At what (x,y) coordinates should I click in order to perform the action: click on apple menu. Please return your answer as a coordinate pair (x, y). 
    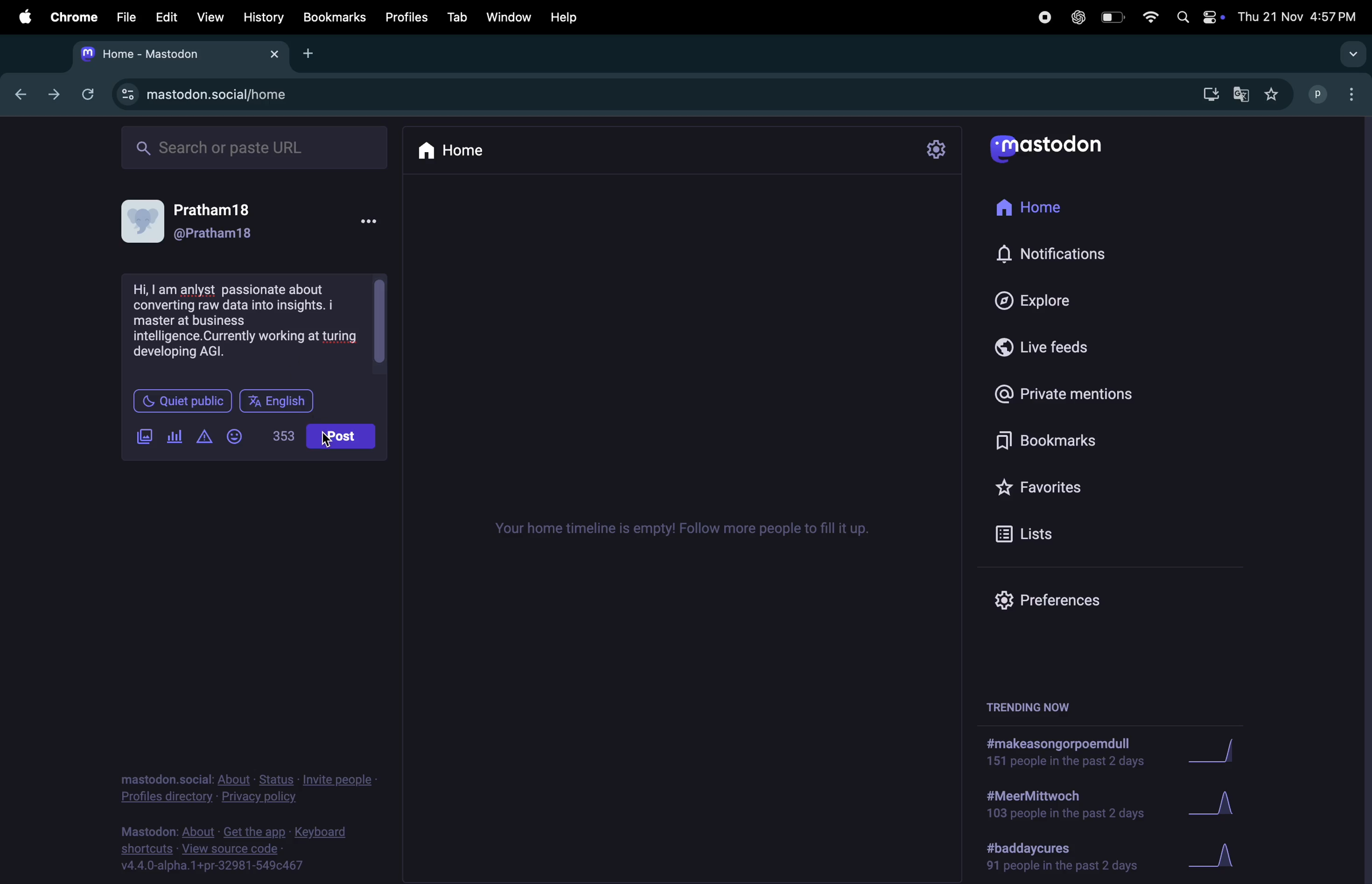
    Looking at the image, I should click on (18, 15).